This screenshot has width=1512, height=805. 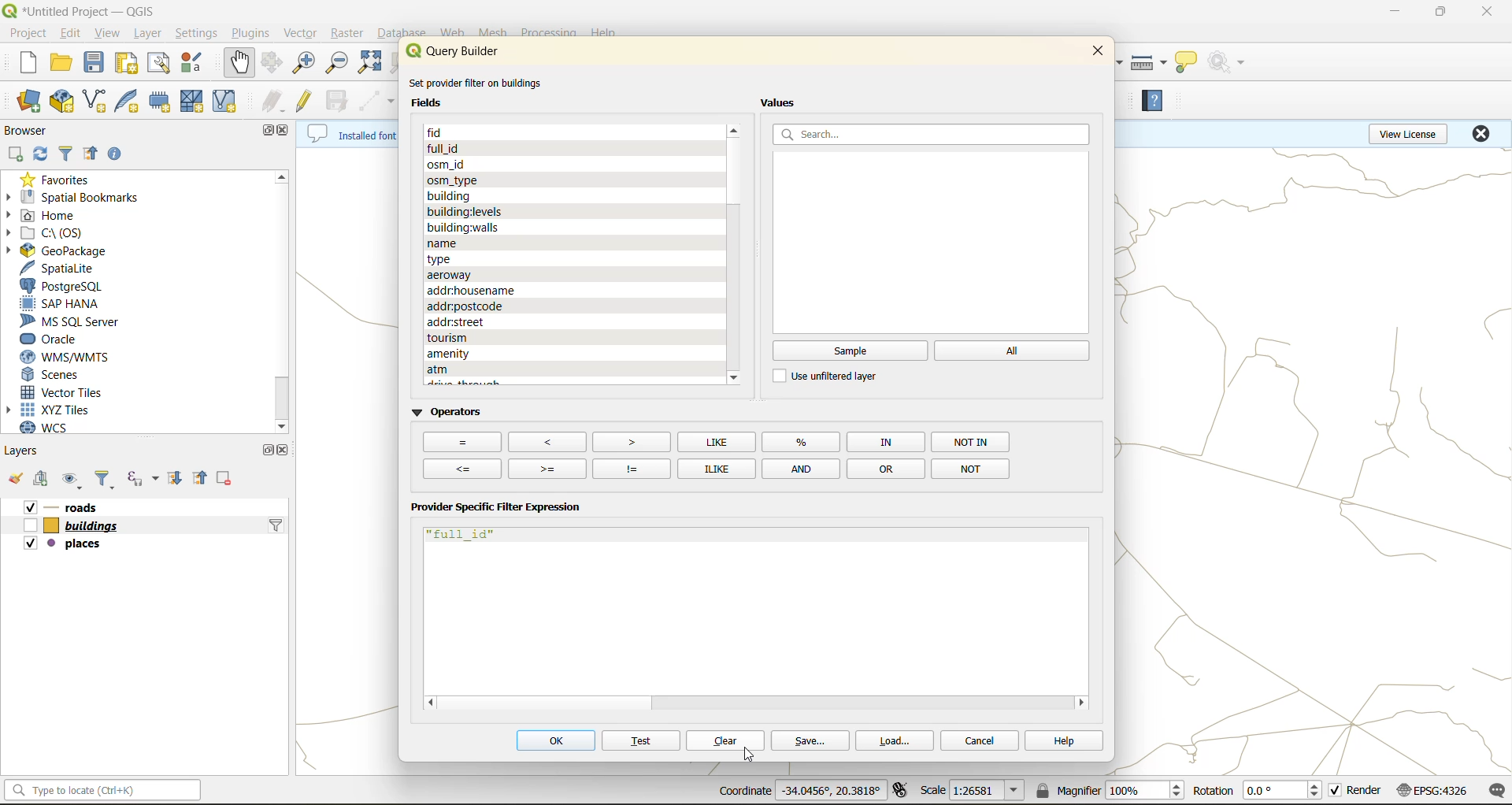 What do you see at coordinates (548, 468) in the screenshot?
I see `opertators` at bounding box center [548, 468].